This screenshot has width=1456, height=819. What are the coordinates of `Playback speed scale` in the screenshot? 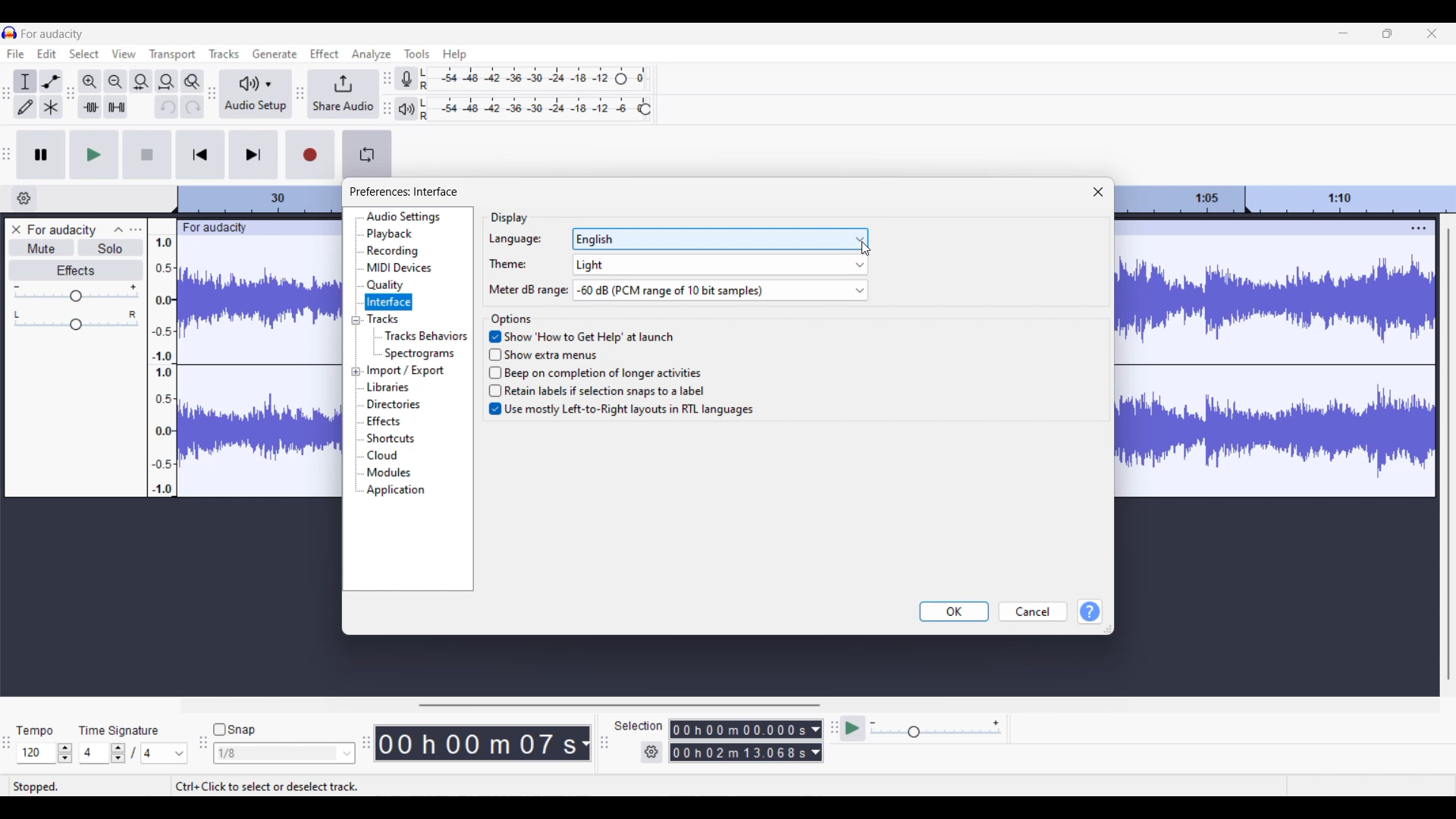 It's located at (936, 728).